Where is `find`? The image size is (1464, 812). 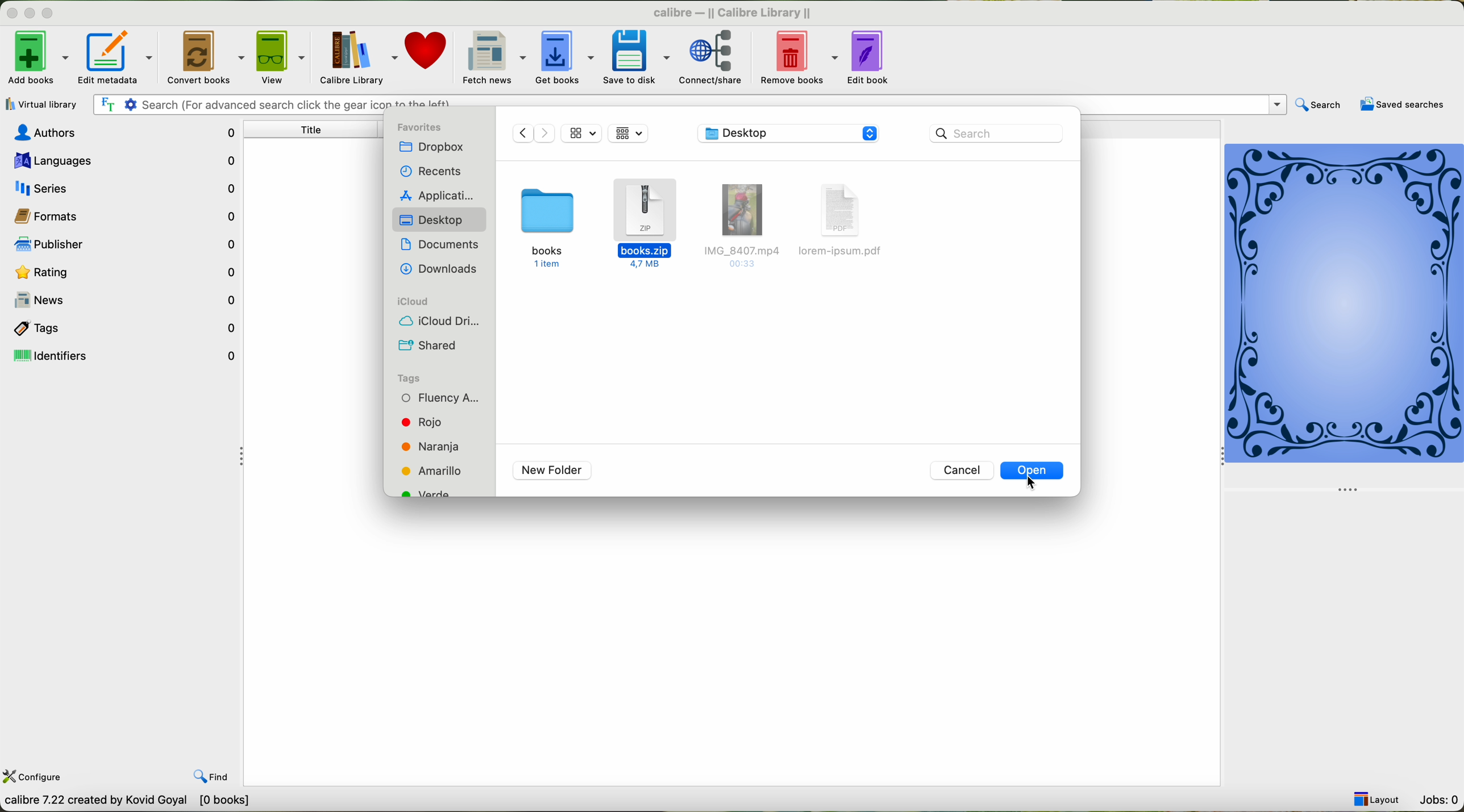
find is located at coordinates (216, 777).